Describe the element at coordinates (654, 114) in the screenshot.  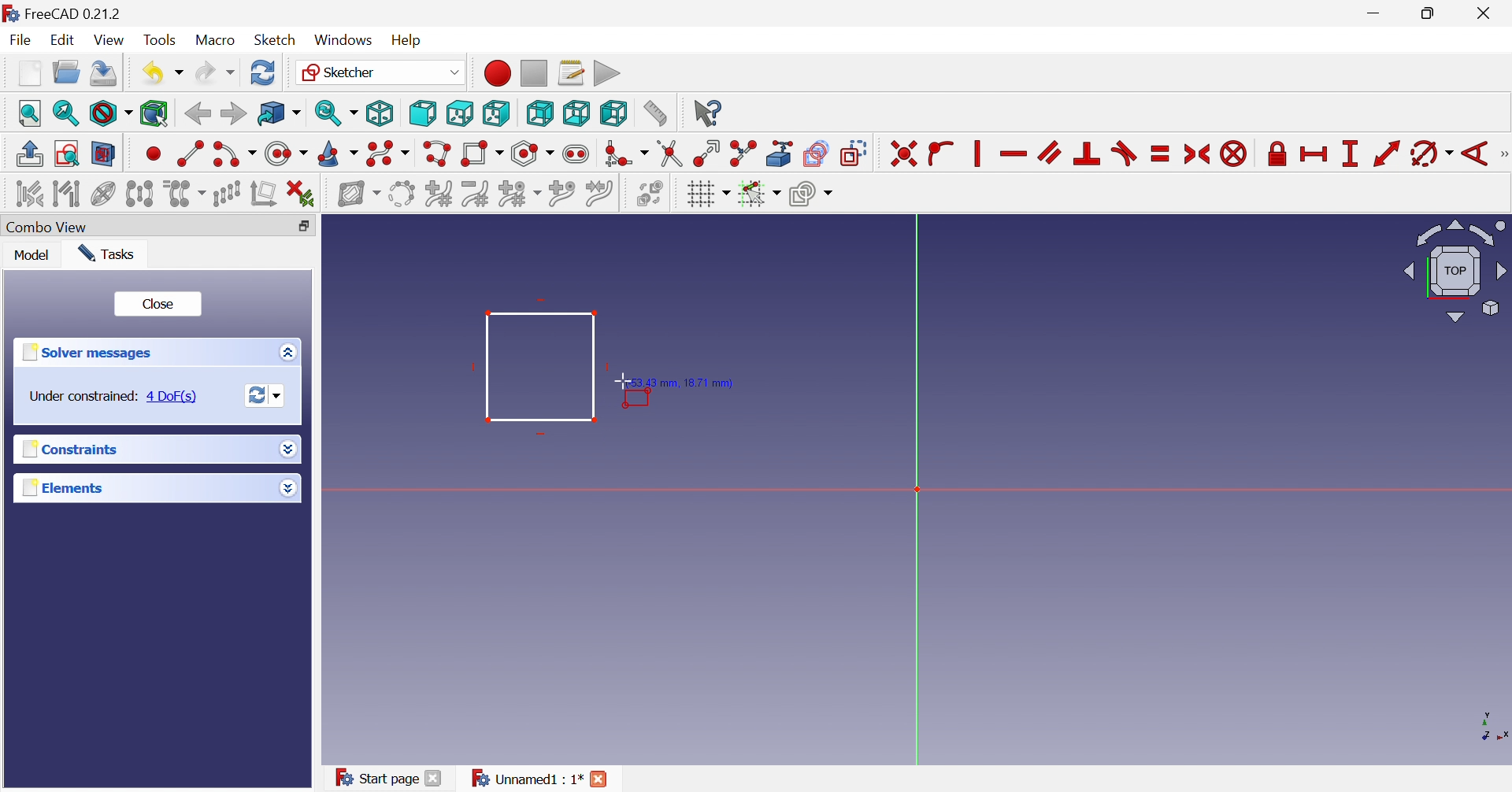
I see `Measure distance` at that location.